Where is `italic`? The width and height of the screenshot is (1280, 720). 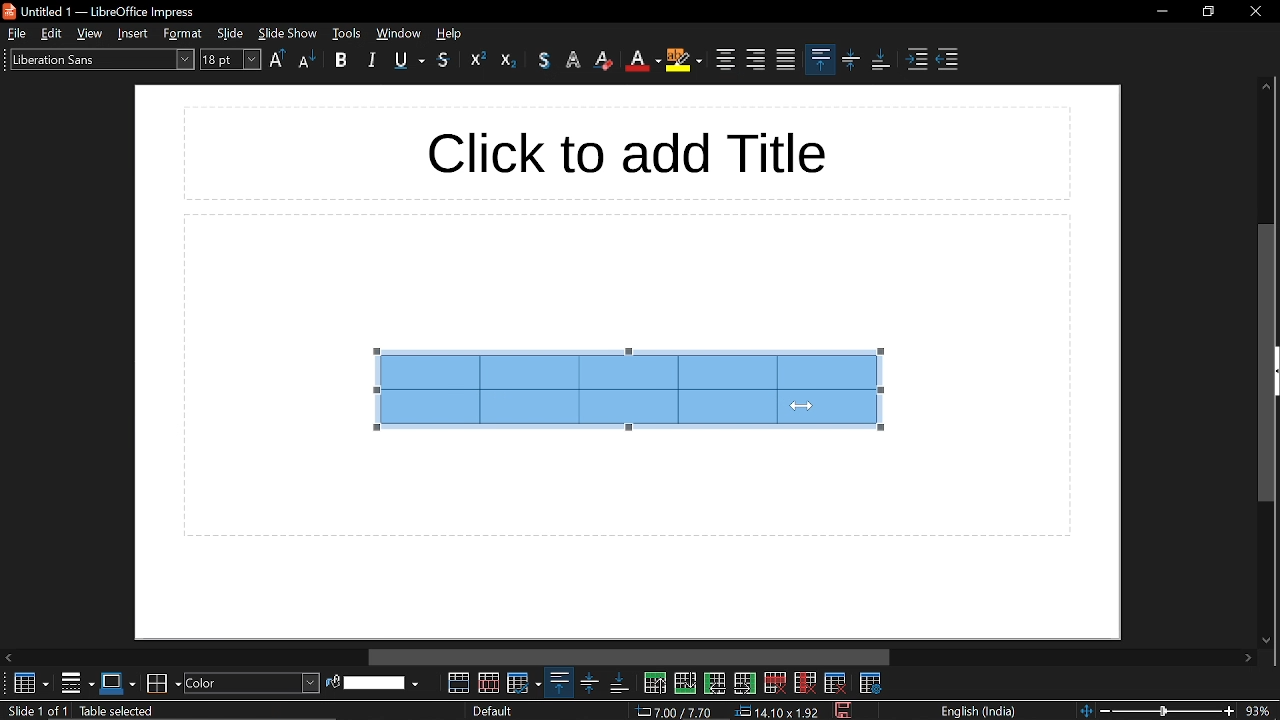
italic is located at coordinates (372, 58).